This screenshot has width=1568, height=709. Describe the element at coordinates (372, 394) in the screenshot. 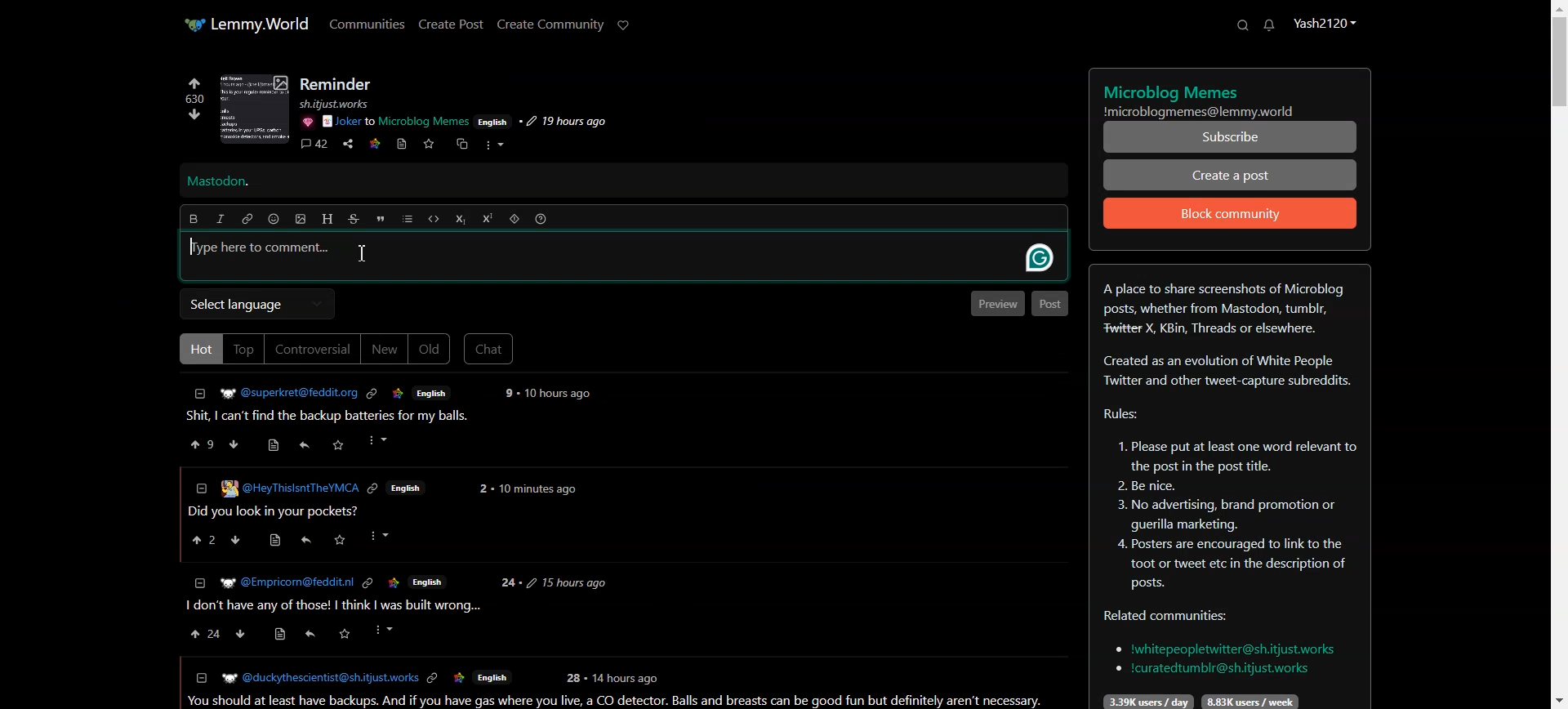

I see `Link` at that location.